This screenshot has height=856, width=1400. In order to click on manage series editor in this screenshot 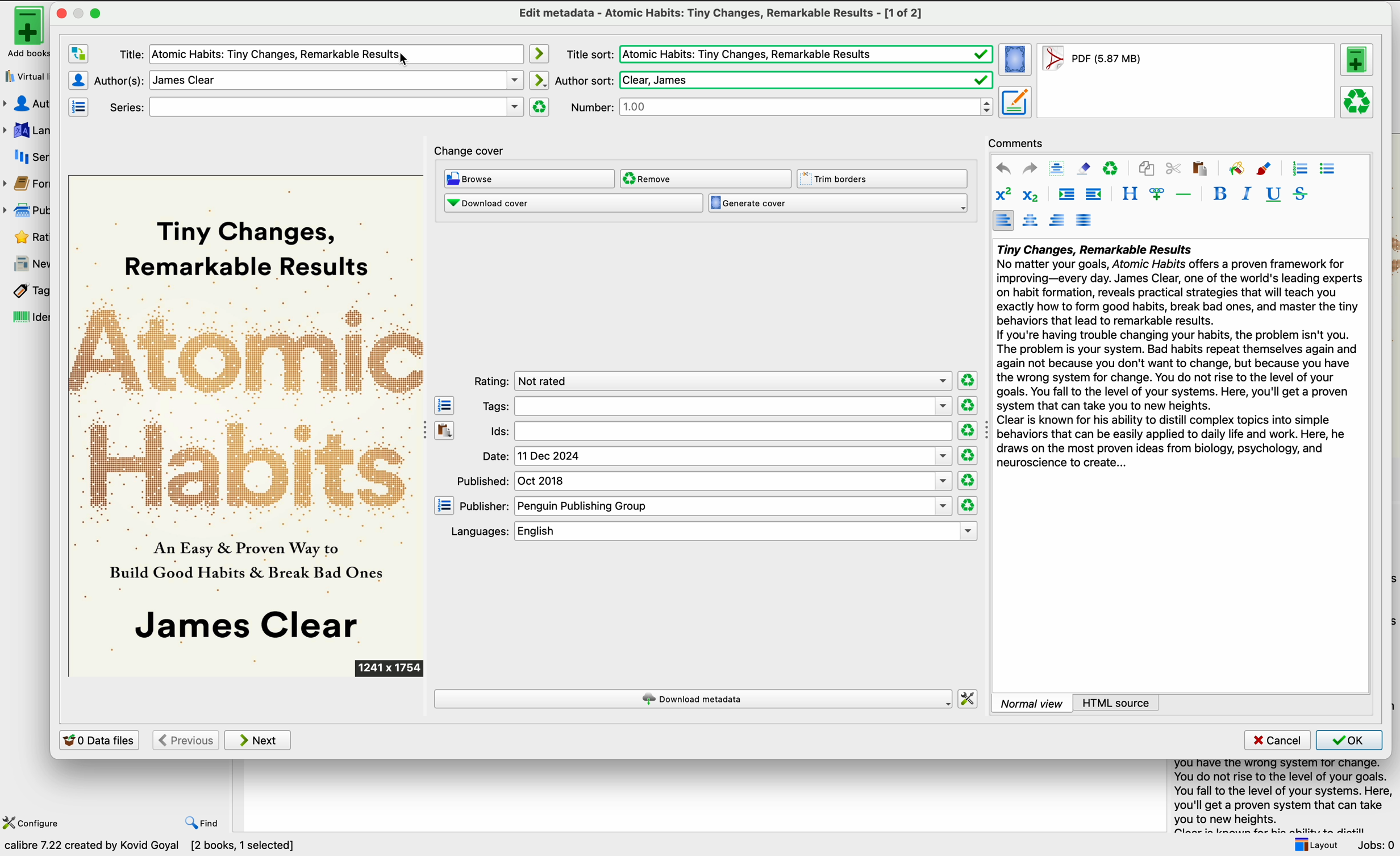, I will do `click(81, 107)`.